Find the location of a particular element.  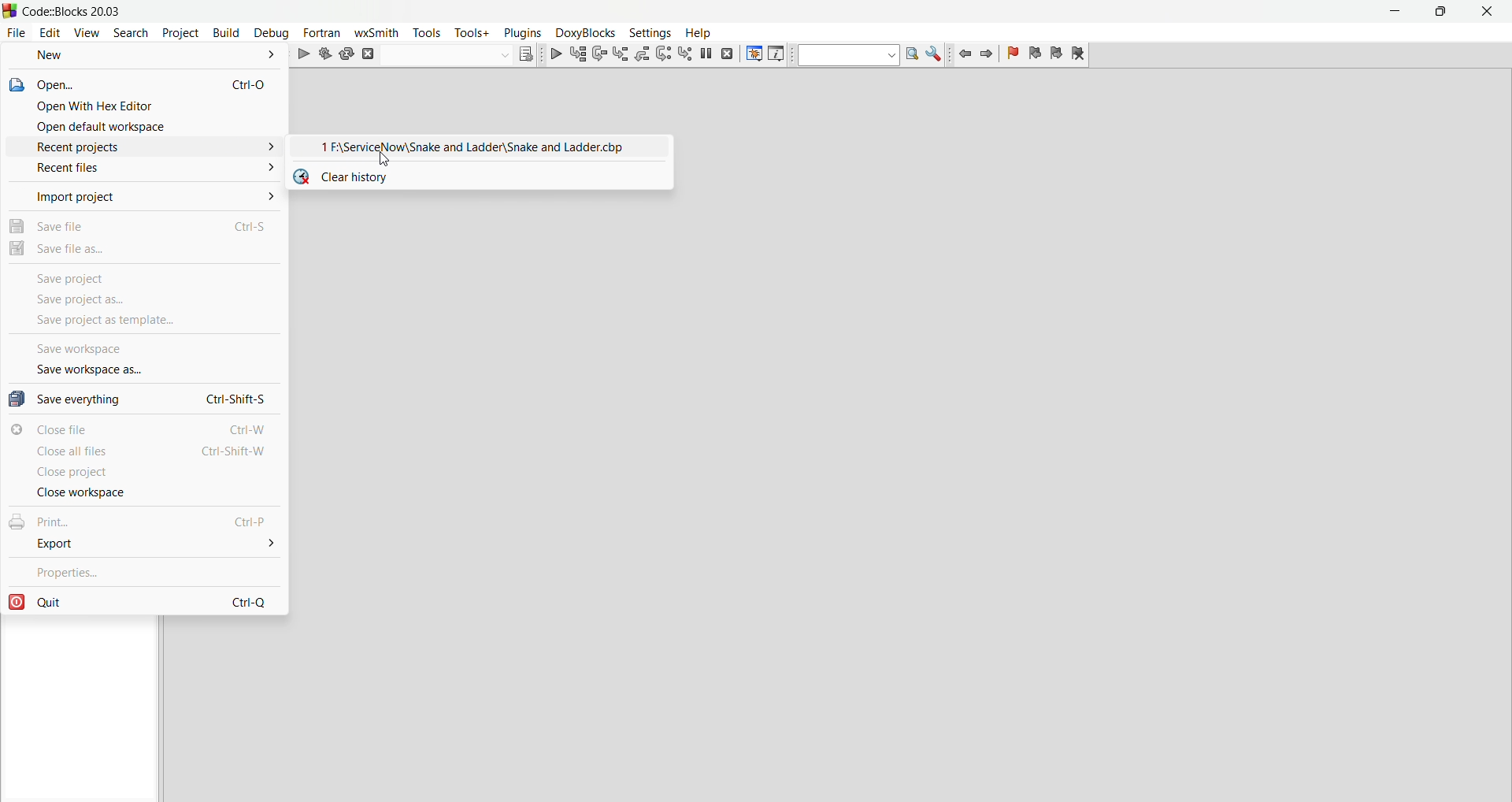

wxSmith is located at coordinates (377, 33).